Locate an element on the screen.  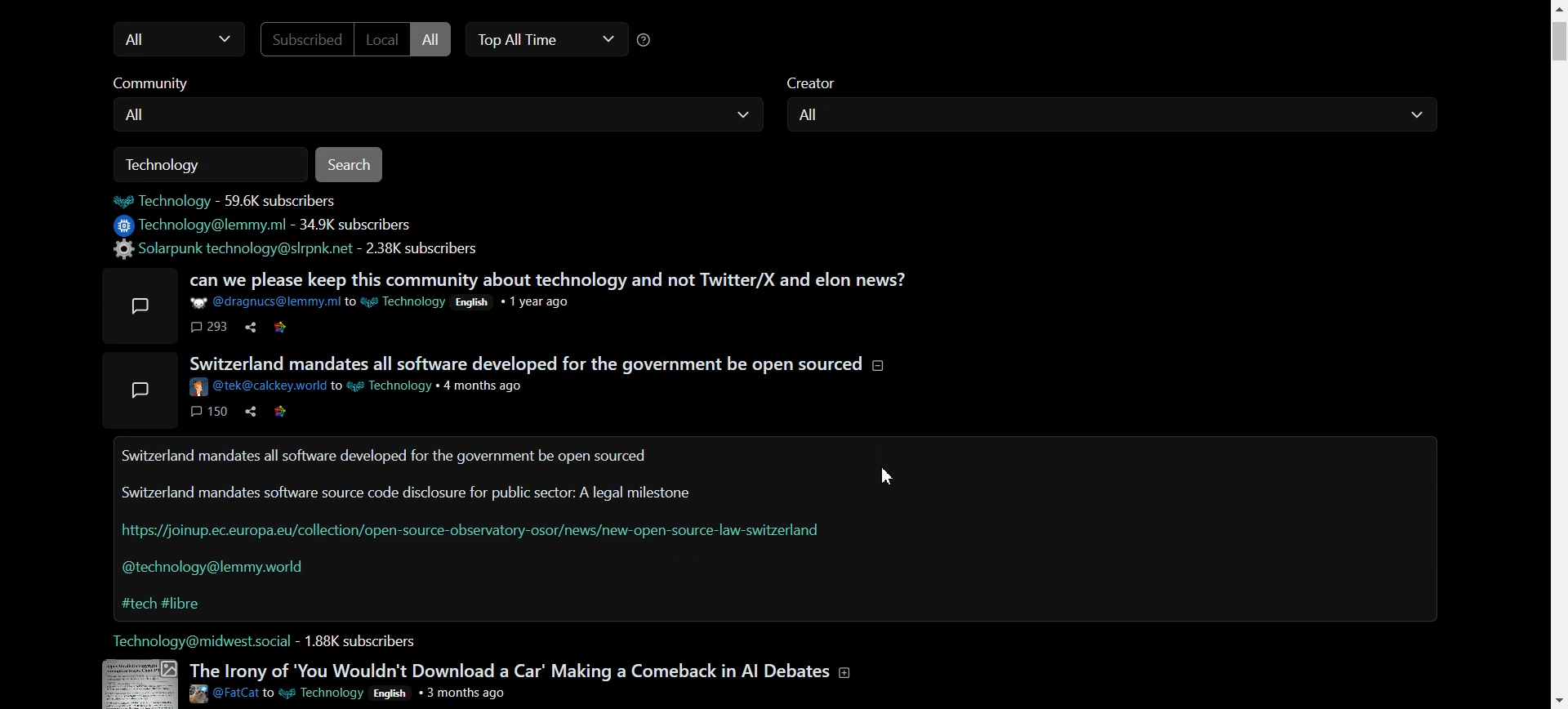
All is located at coordinates (1112, 119).